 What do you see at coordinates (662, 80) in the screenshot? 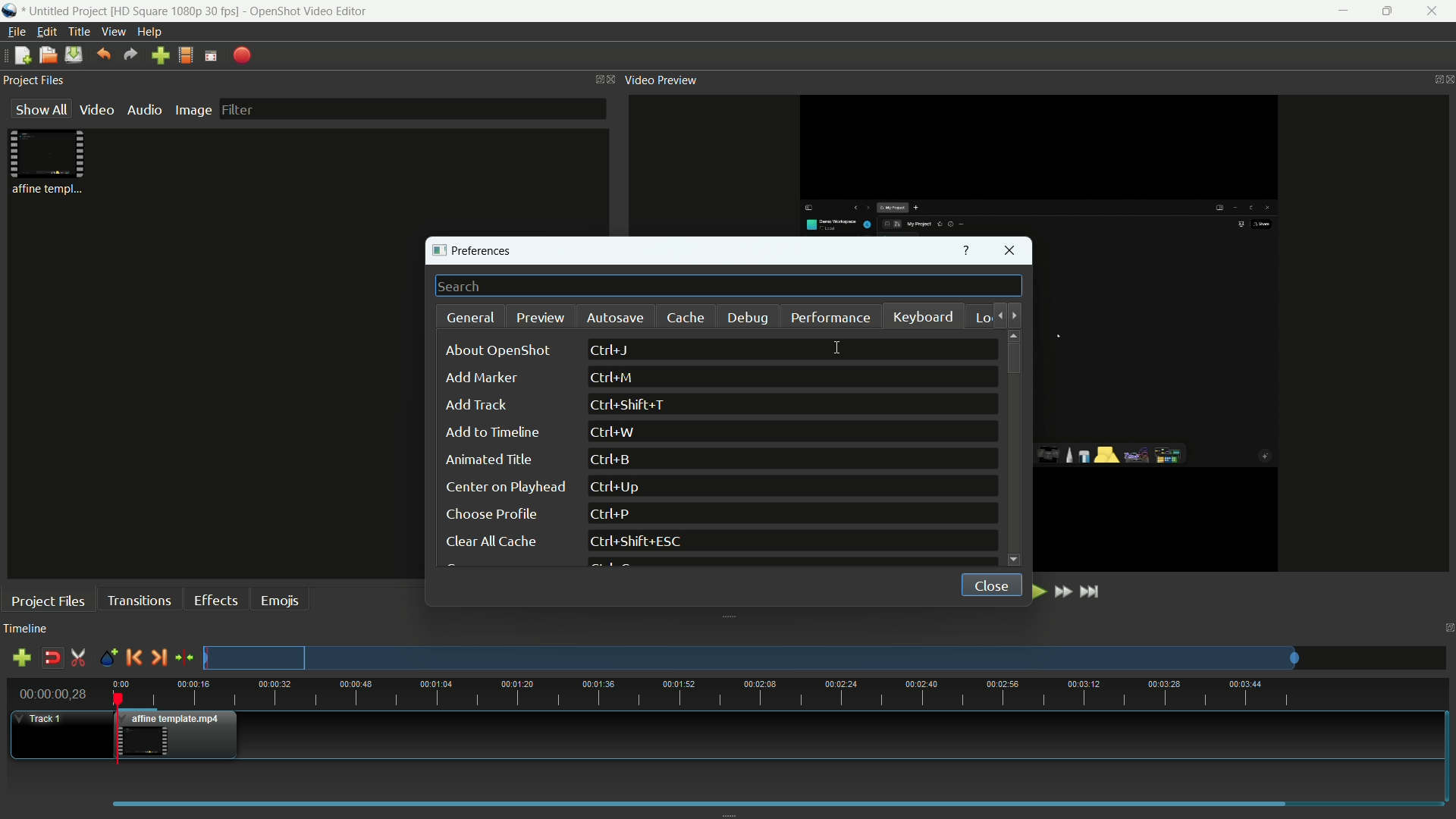
I see `video preview` at bounding box center [662, 80].